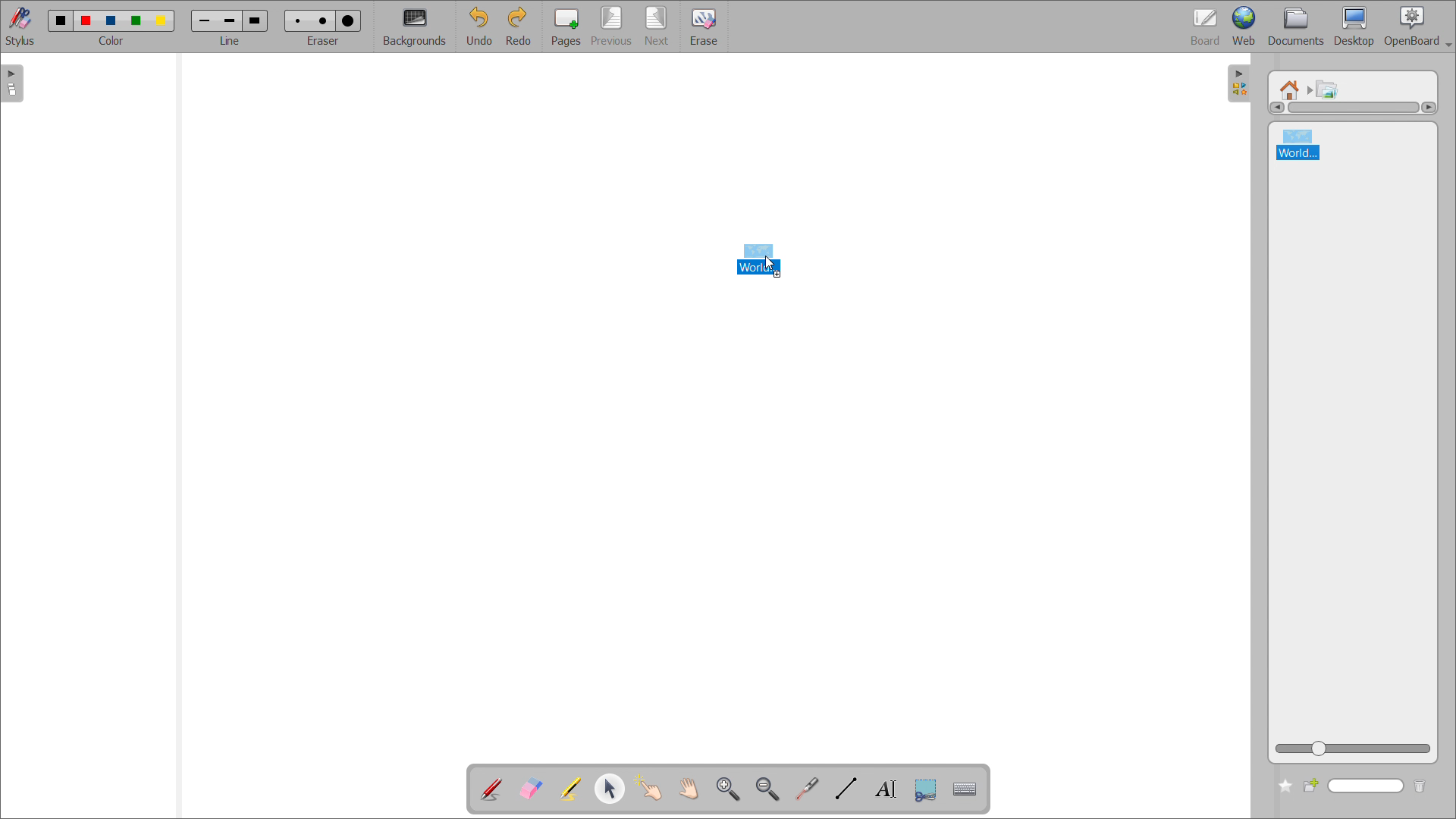 The width and height of the screenshot is (1456, 819). I want to click on desktop, so click(1354, 27).